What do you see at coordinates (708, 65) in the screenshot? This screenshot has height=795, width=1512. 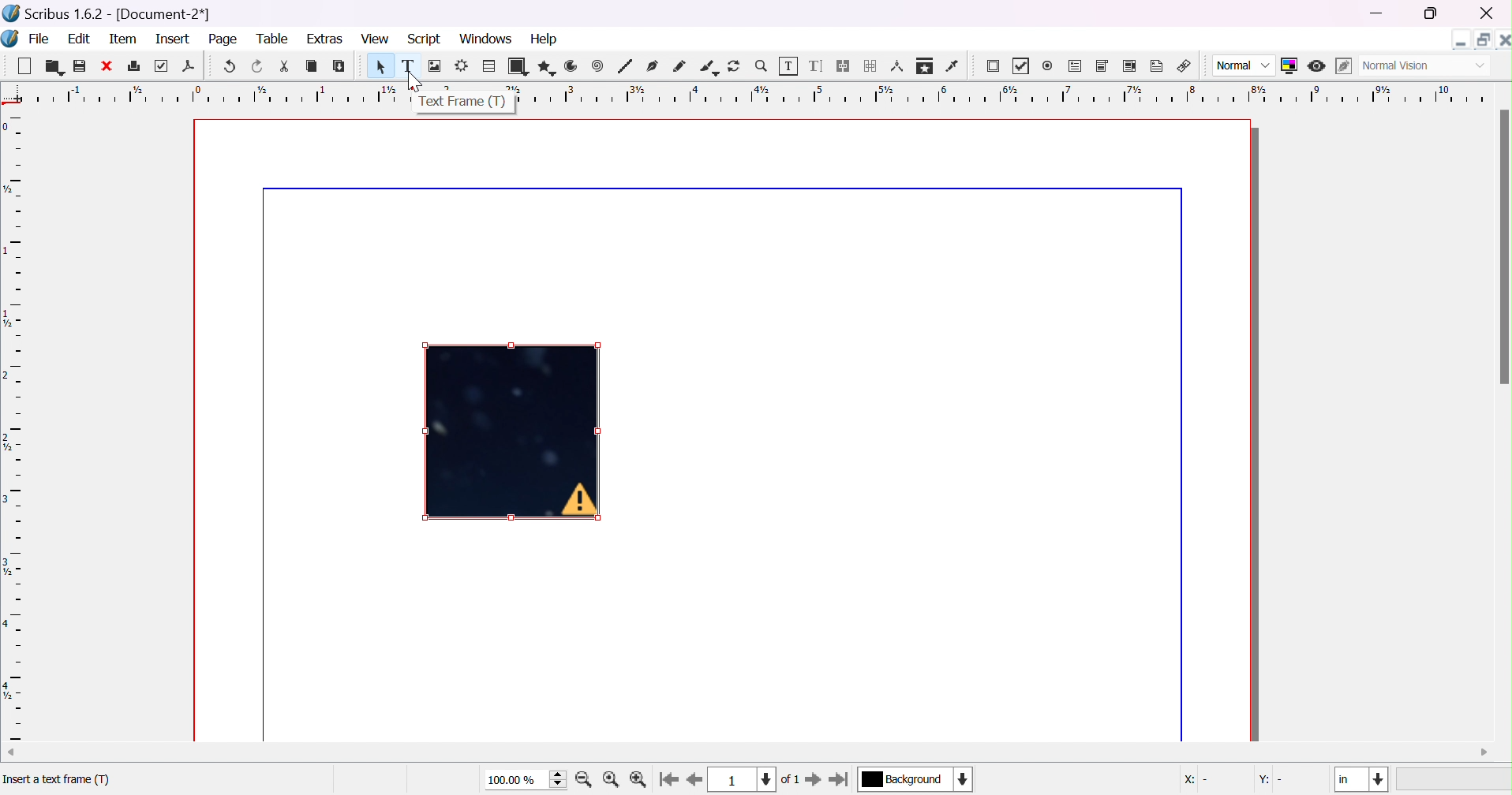 I see `calligraphic line` at bounding box center [708, 65].